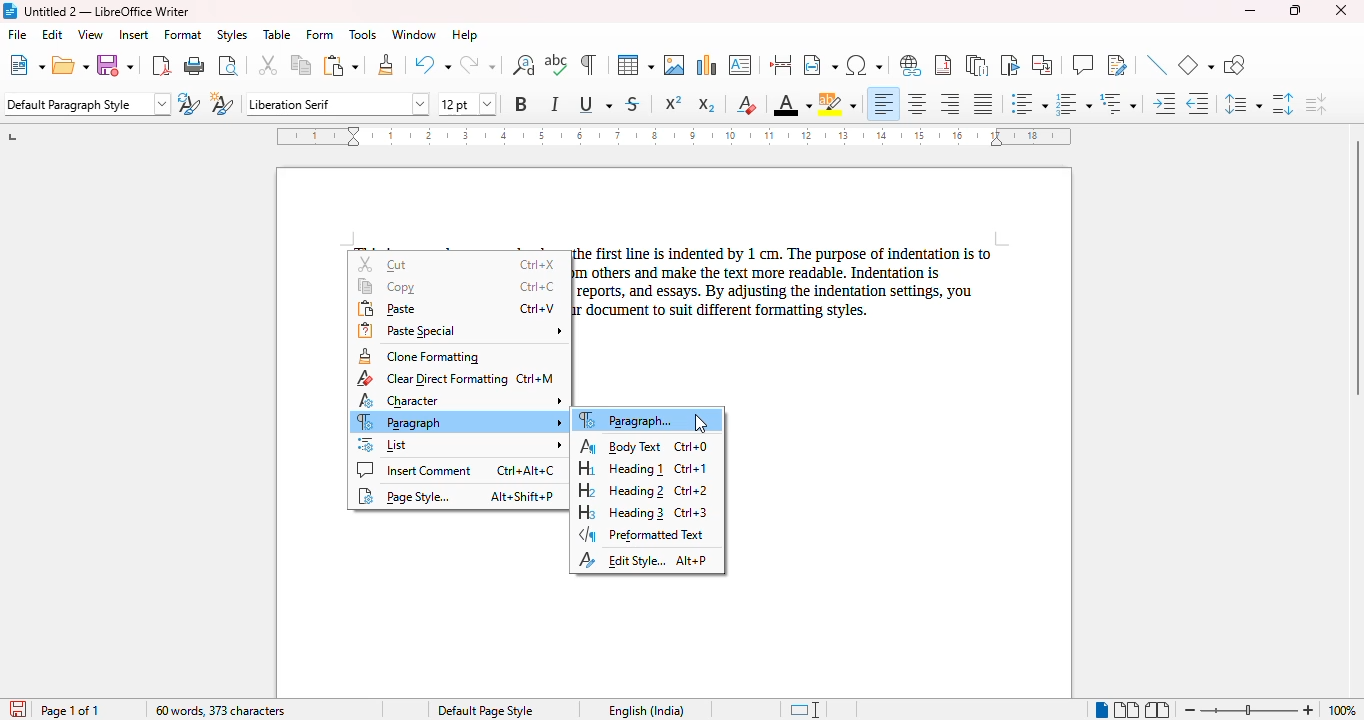 The image size is (1364, 720). Describe the element at coordinates (1196, 65) in the screenshot. I see `basic shapes` at that location.